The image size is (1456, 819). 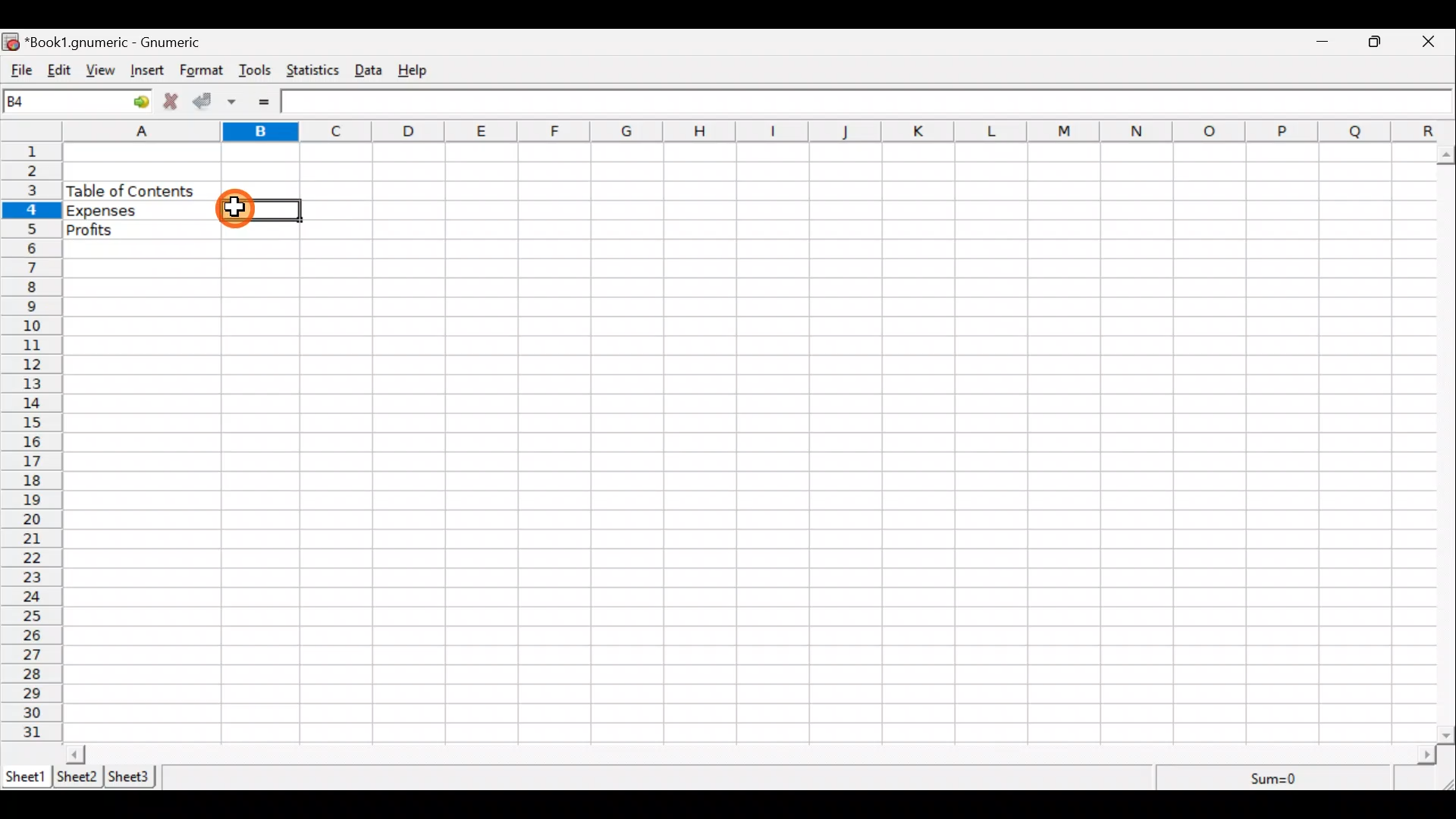 What do you see at coordinates (737, 132) in the screenshot?
I see `alphabets row` at bounding box center [737, 132].